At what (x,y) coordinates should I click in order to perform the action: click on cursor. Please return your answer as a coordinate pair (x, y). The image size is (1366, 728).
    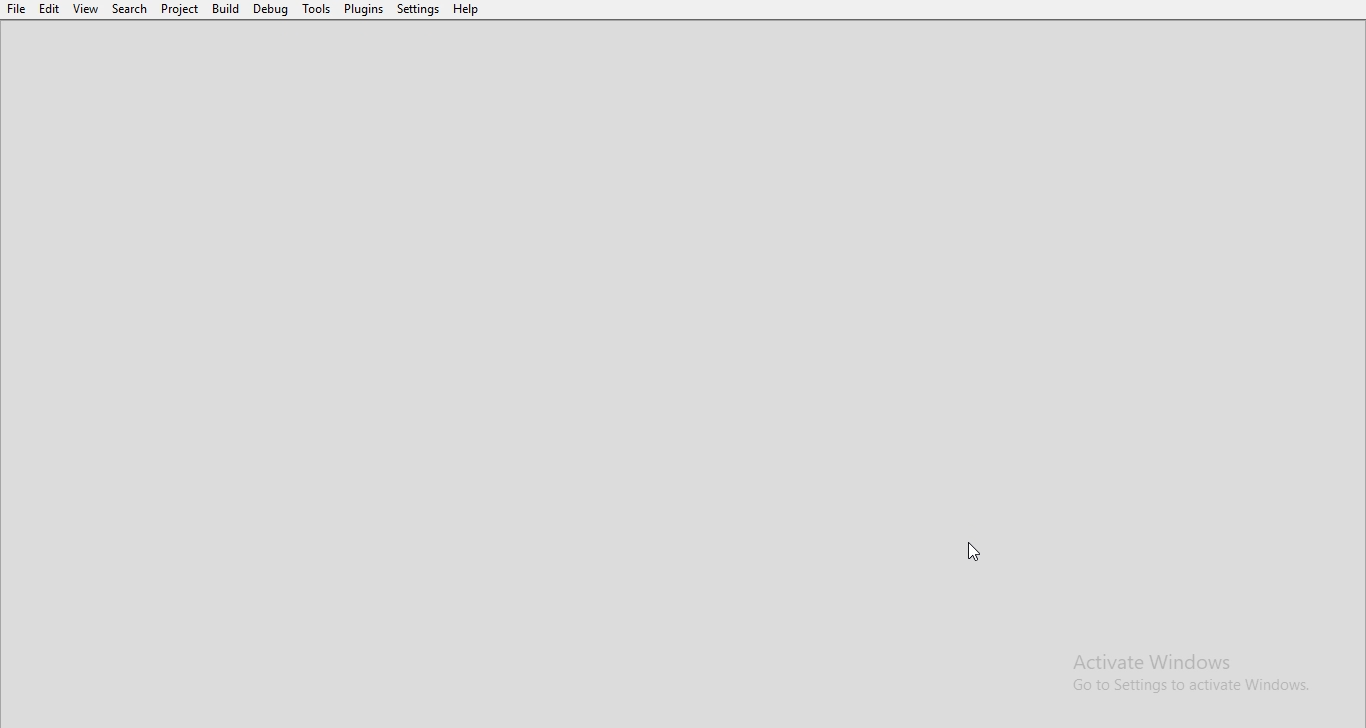
    Looking at the image, I should click on (974, 553).